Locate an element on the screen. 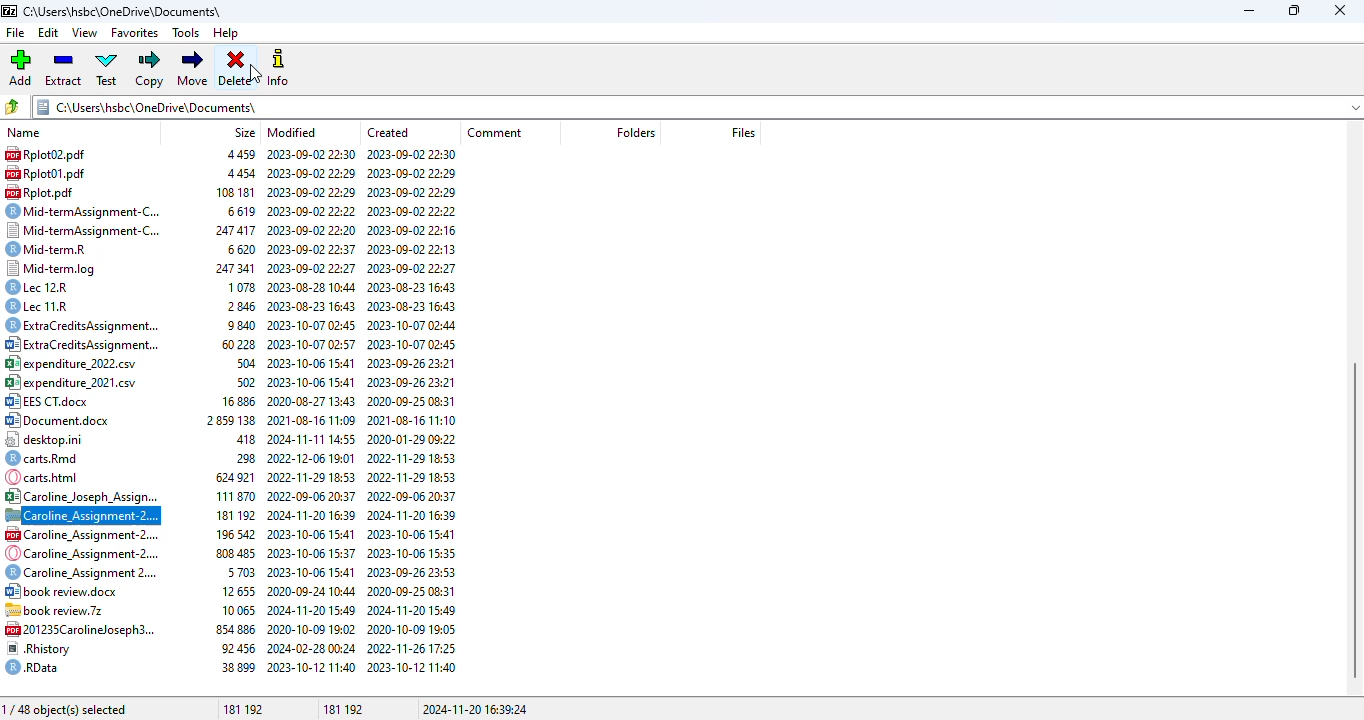  2023-09-02 22:16 is located at coordinates (414, 229).